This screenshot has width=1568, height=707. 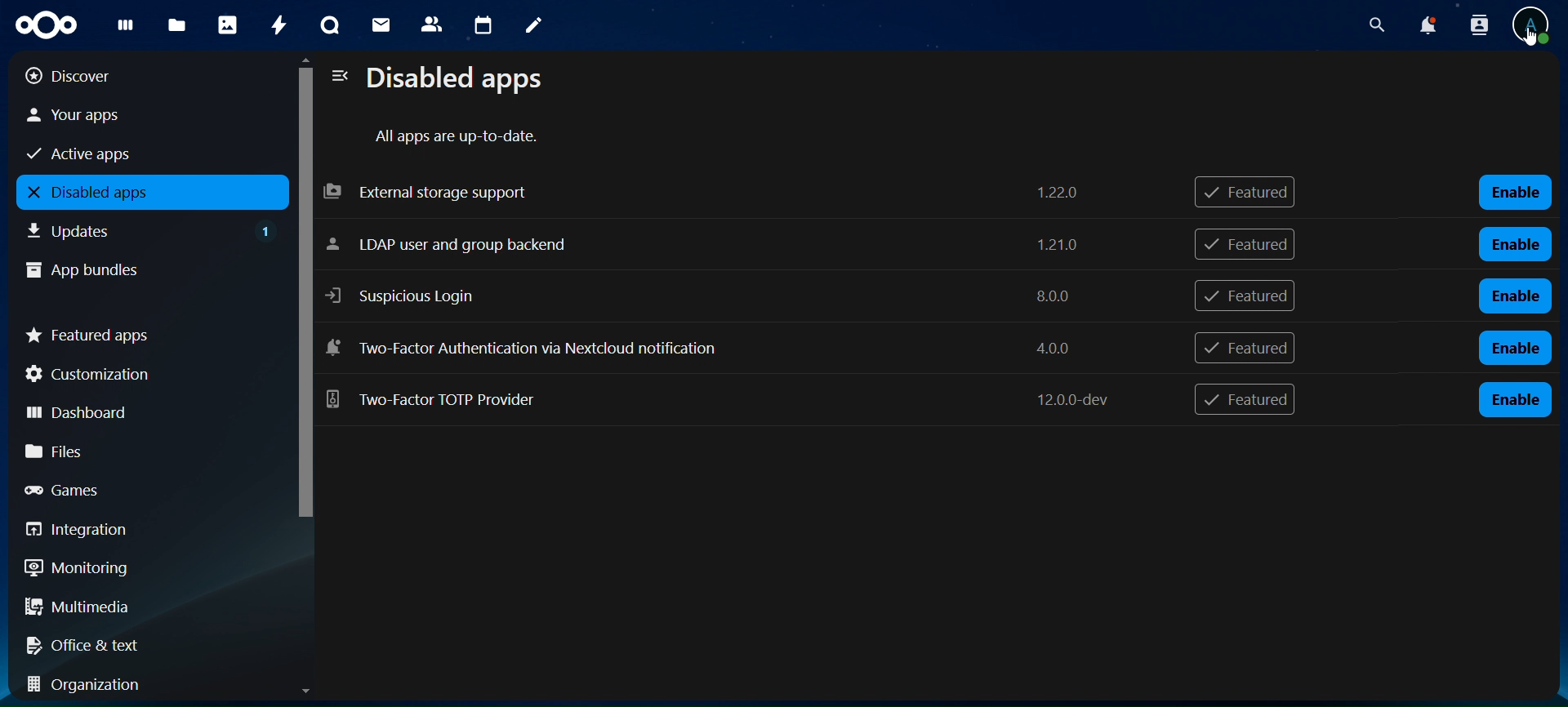 What do you see at coordinates (122, 29) in the screenshot?
I see `dashboard` at bounding box center [122, 29].